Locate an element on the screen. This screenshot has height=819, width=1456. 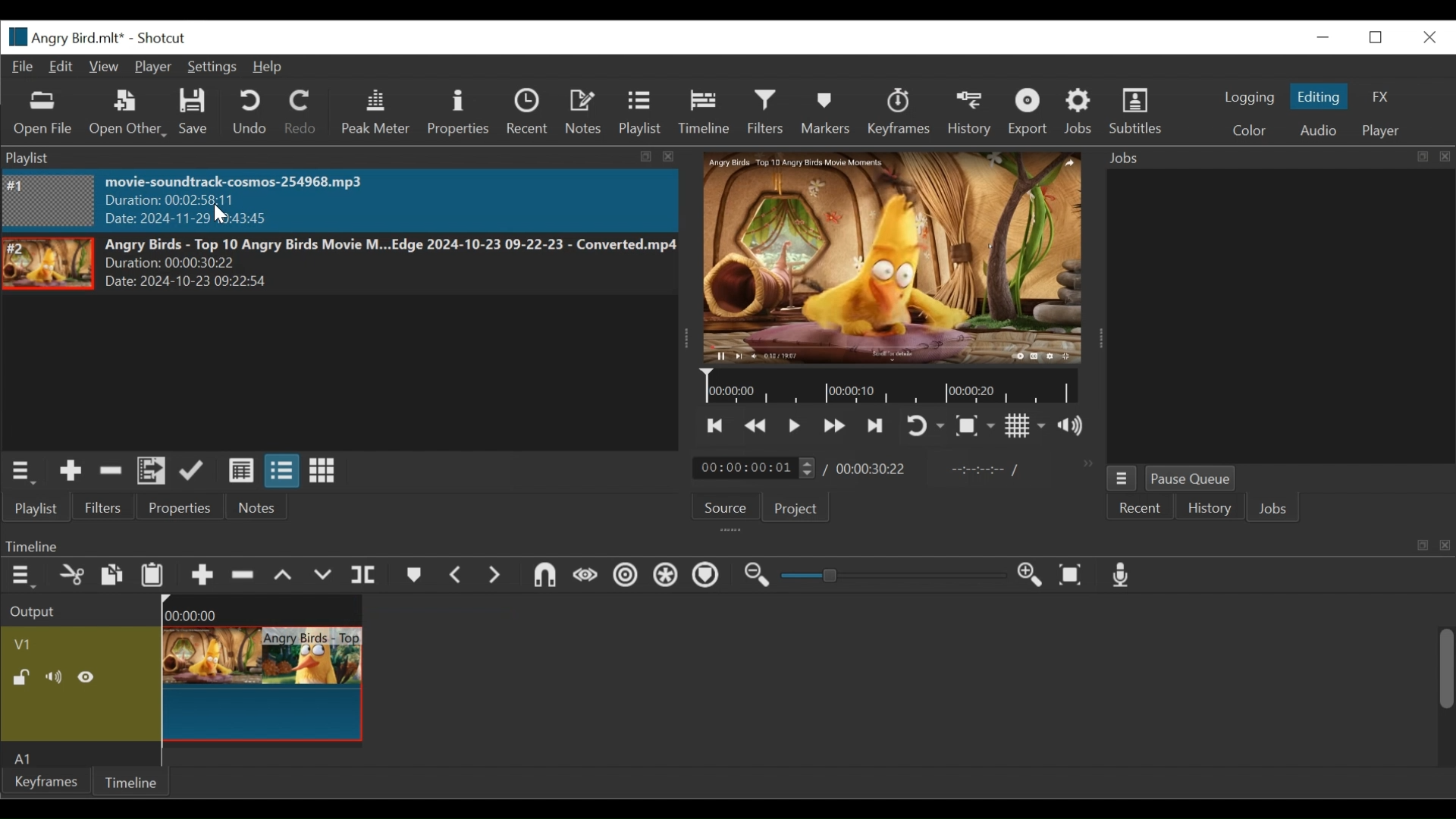
Slider is located at coordinates (894, 577).